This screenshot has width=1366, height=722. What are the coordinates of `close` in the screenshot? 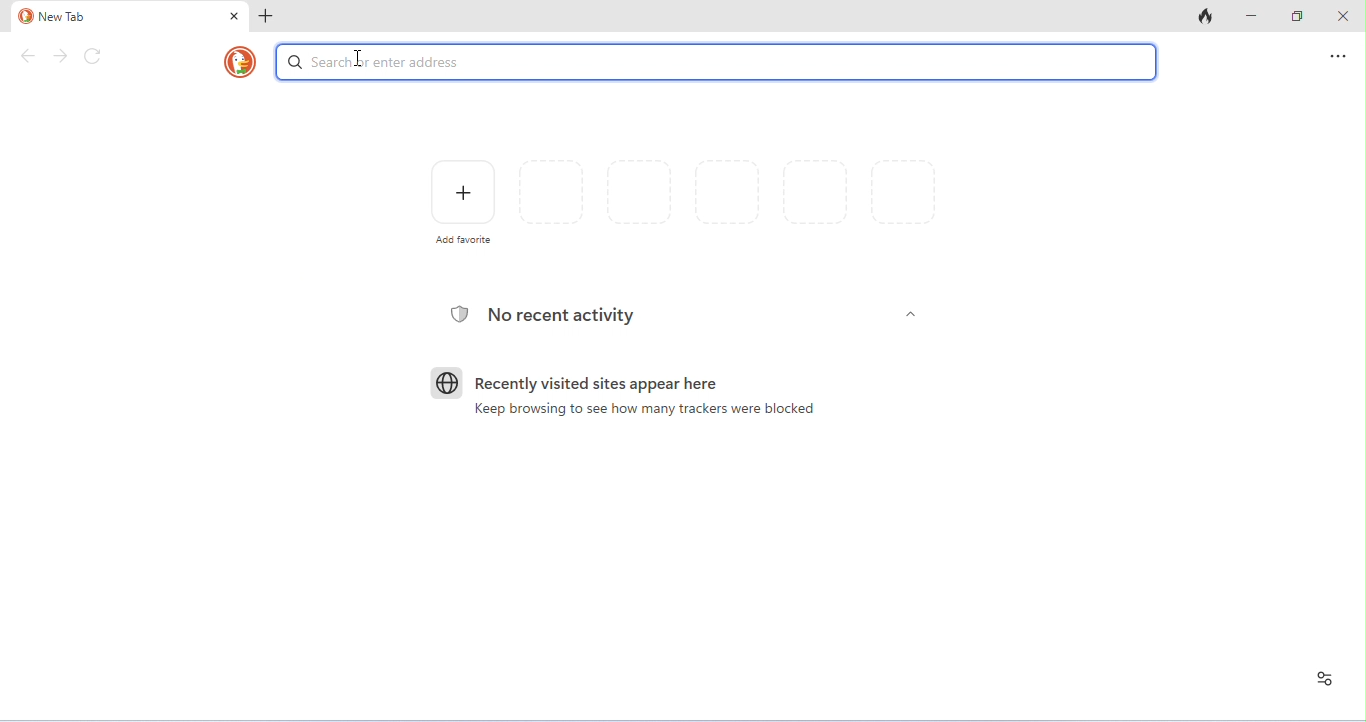 It's located at (1340, 16).